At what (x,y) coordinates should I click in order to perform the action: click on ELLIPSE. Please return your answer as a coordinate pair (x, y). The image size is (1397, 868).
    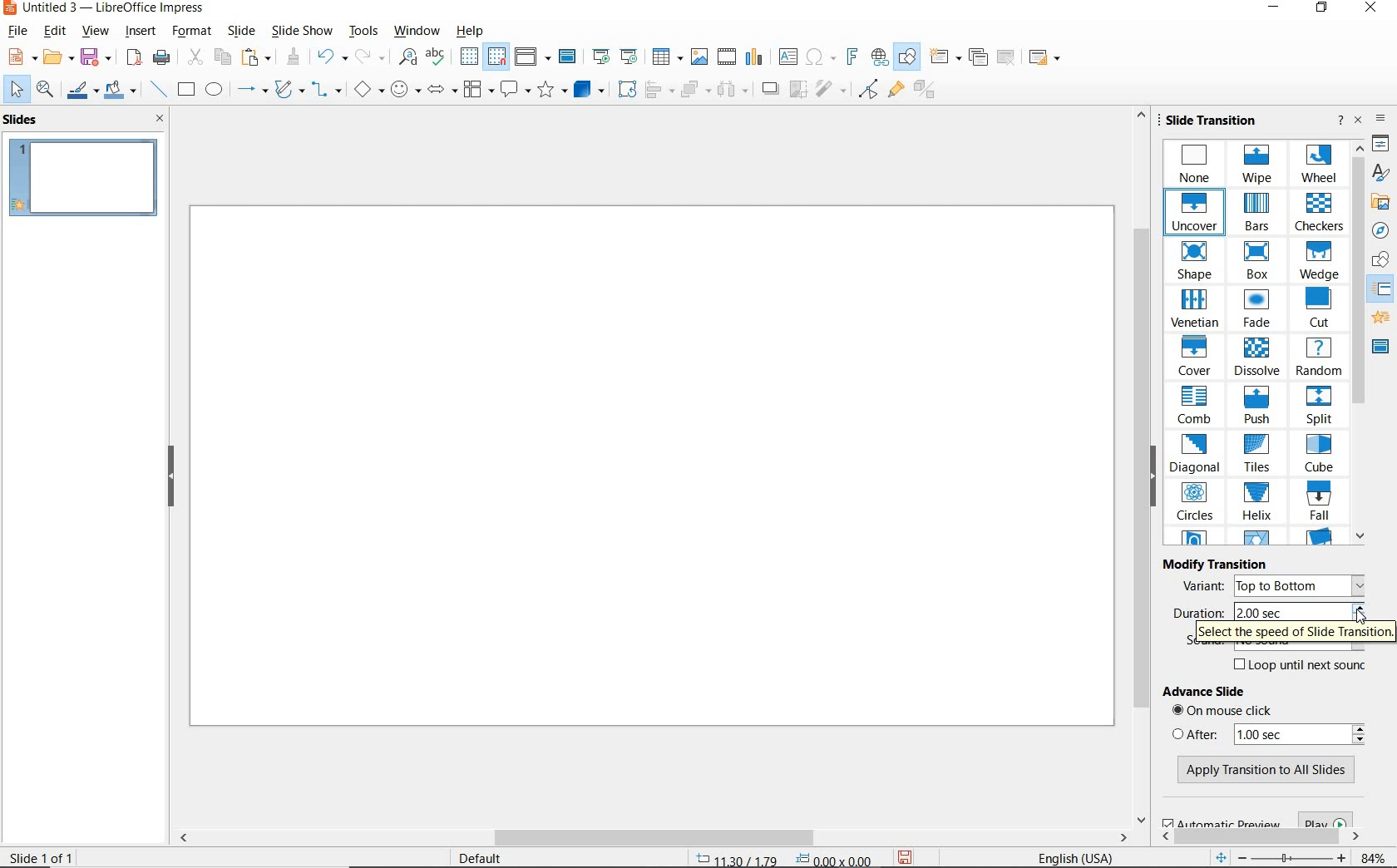
    Looking at the image, I should click on (215, 90).